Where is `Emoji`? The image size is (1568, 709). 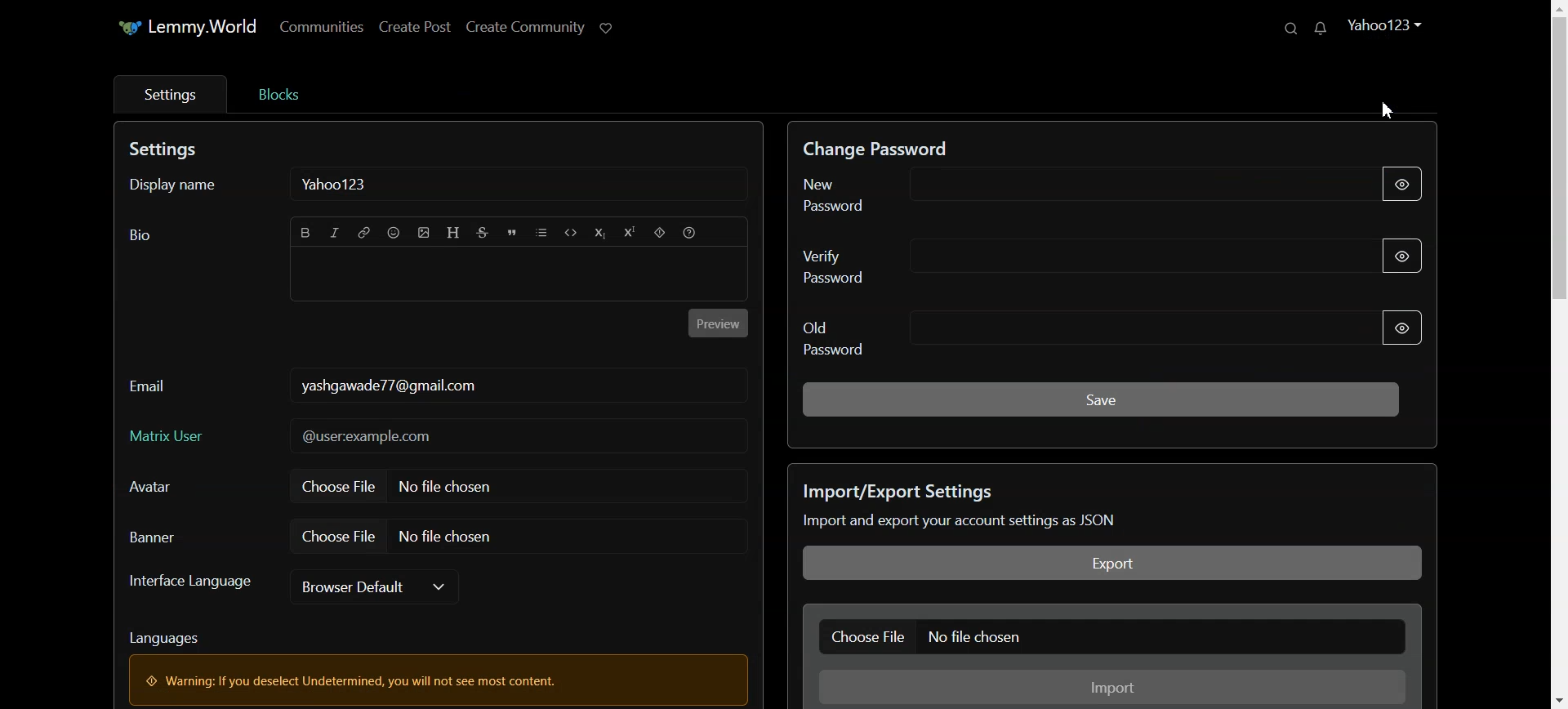
Emoji is located at coordinates (394, 232).